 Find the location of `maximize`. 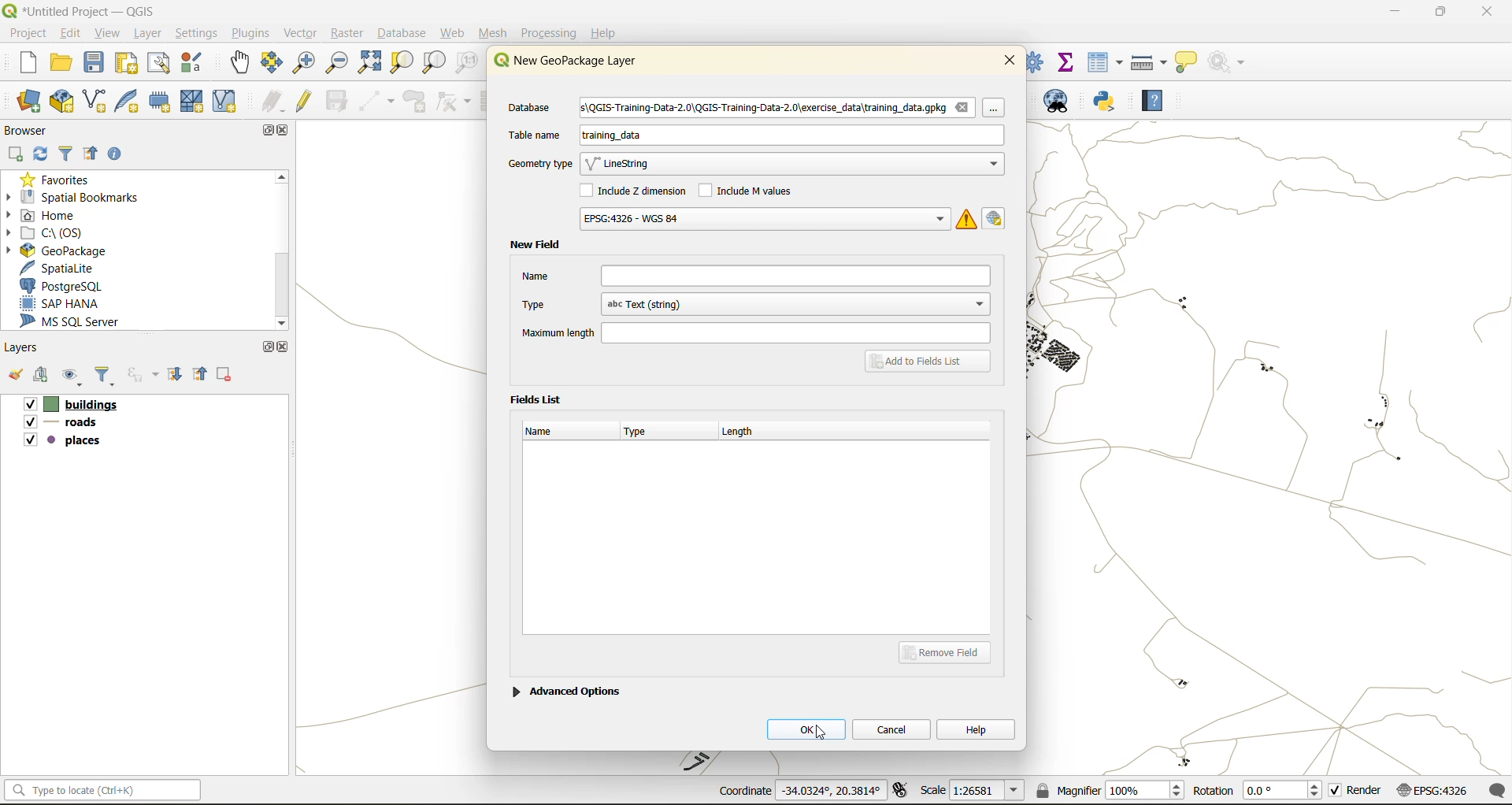

maximize is located at coordinates (267, 347).